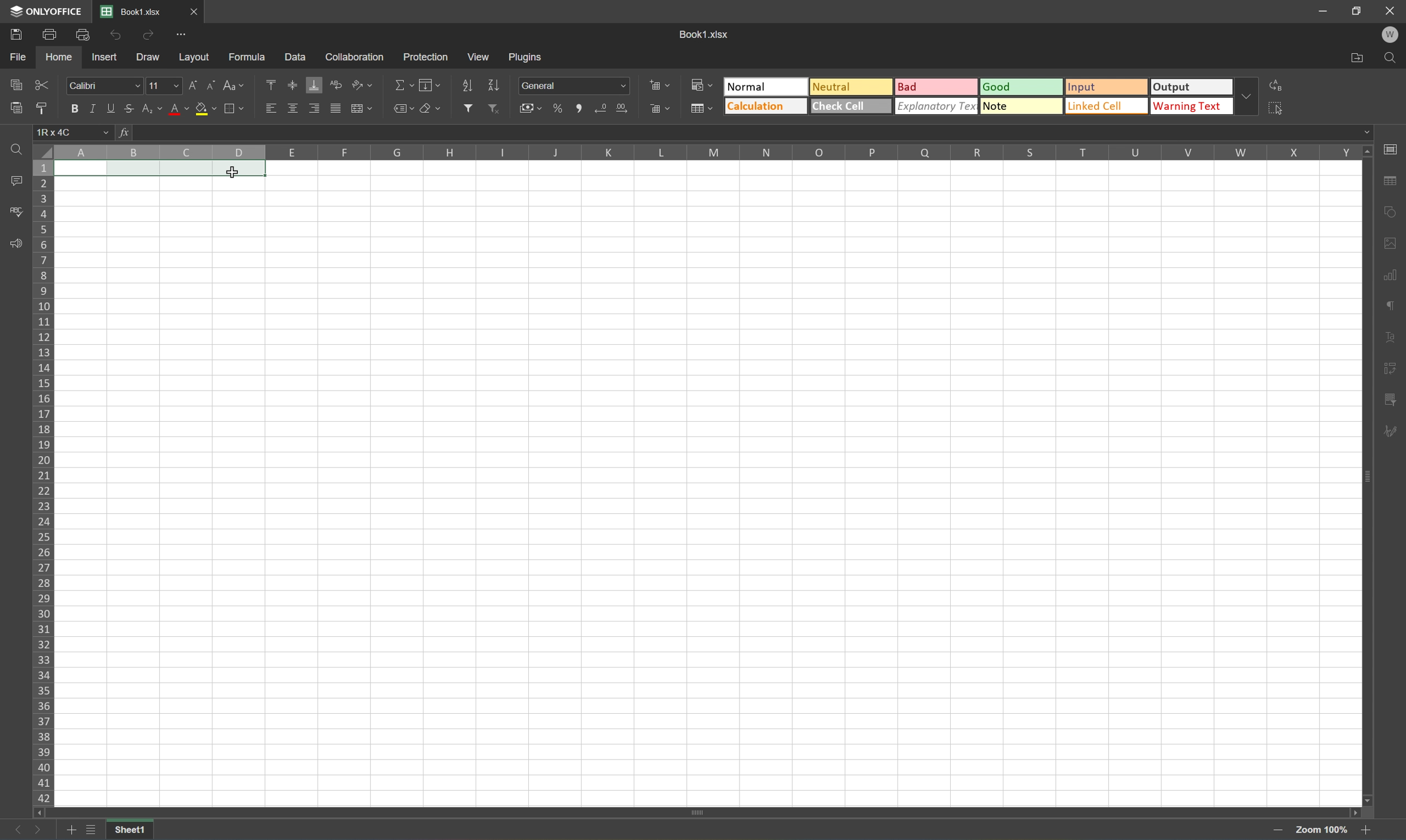 The height and width of the screenshot is (840, 1406). What do you see at coordinates (767, 87) in the screenshot?
I see `Normal` at bounding box center [767, 87].